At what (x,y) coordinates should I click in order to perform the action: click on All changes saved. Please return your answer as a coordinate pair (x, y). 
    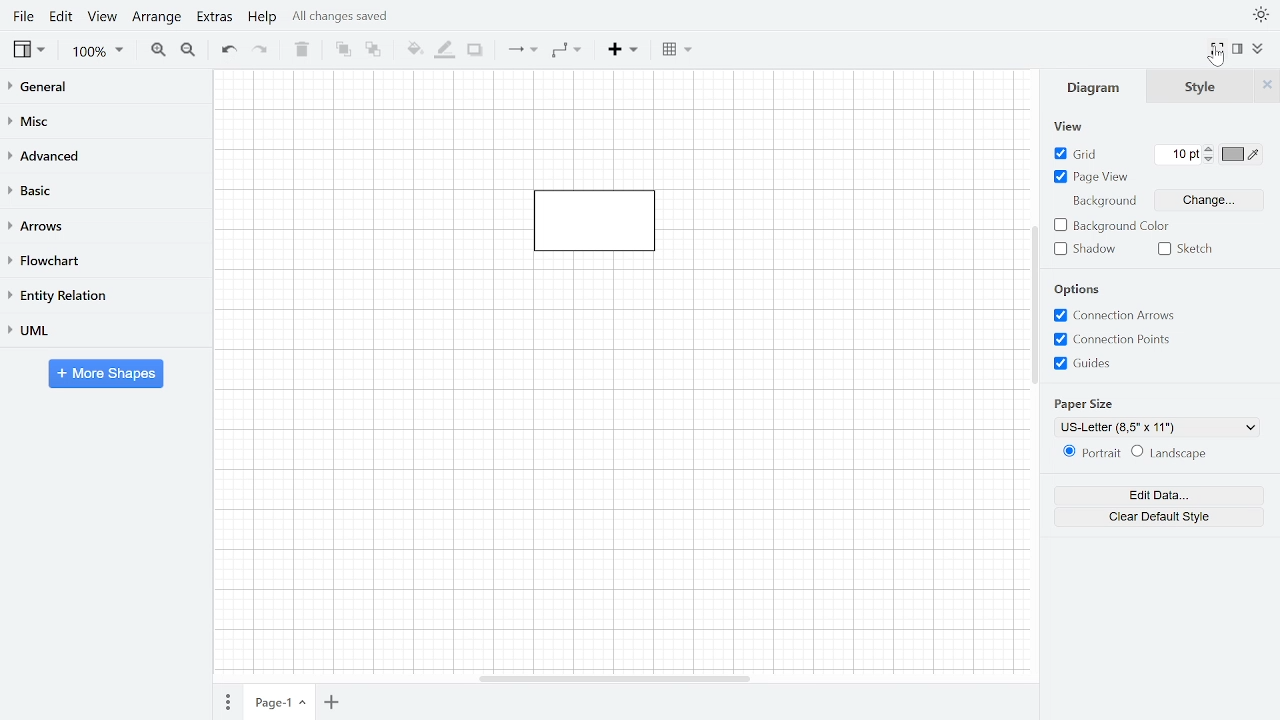
    Looking at the image, I should click on (343, 18).